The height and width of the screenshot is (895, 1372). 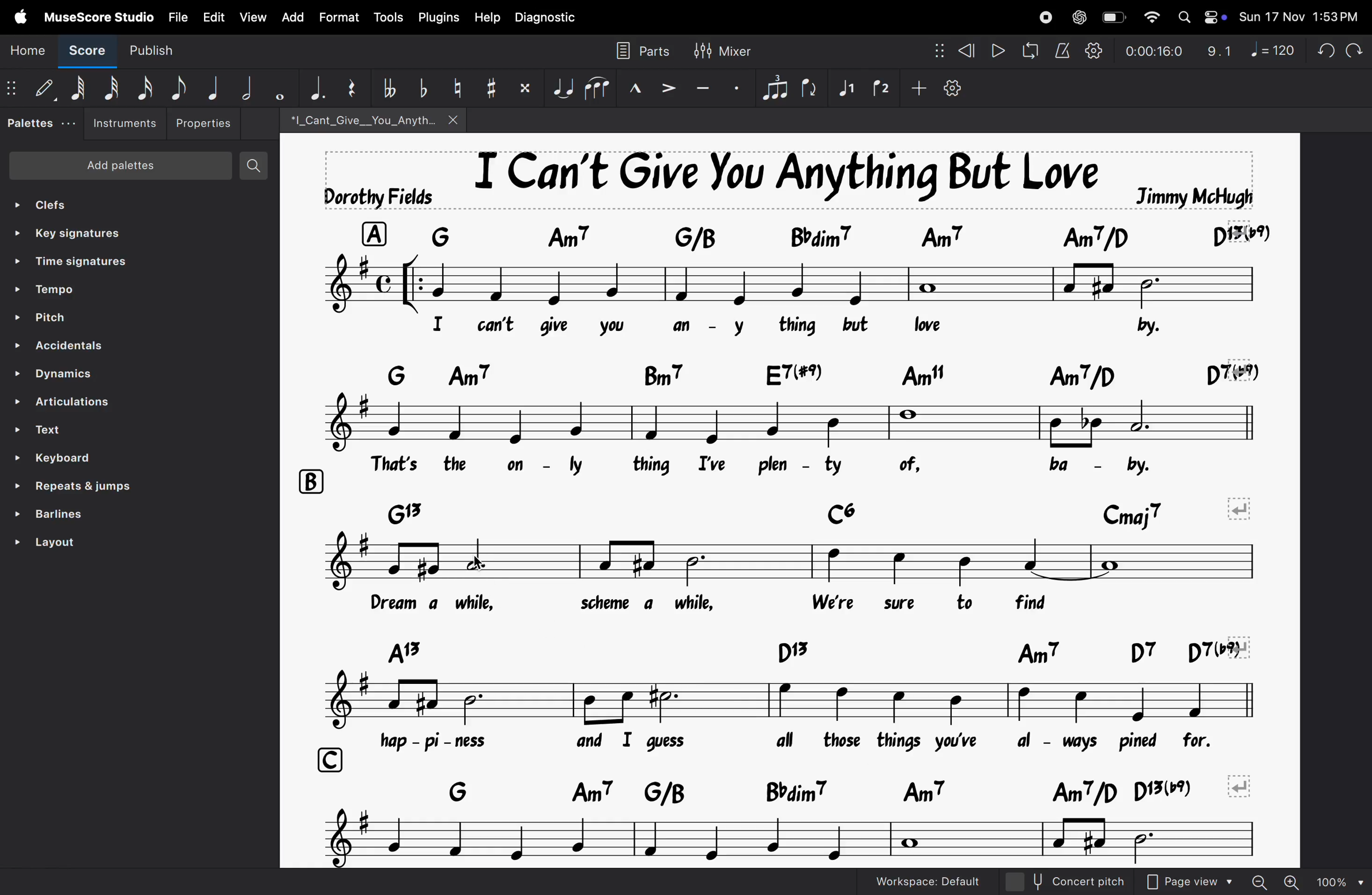 I want to click on playback settings, so click(x=1093, y=48).